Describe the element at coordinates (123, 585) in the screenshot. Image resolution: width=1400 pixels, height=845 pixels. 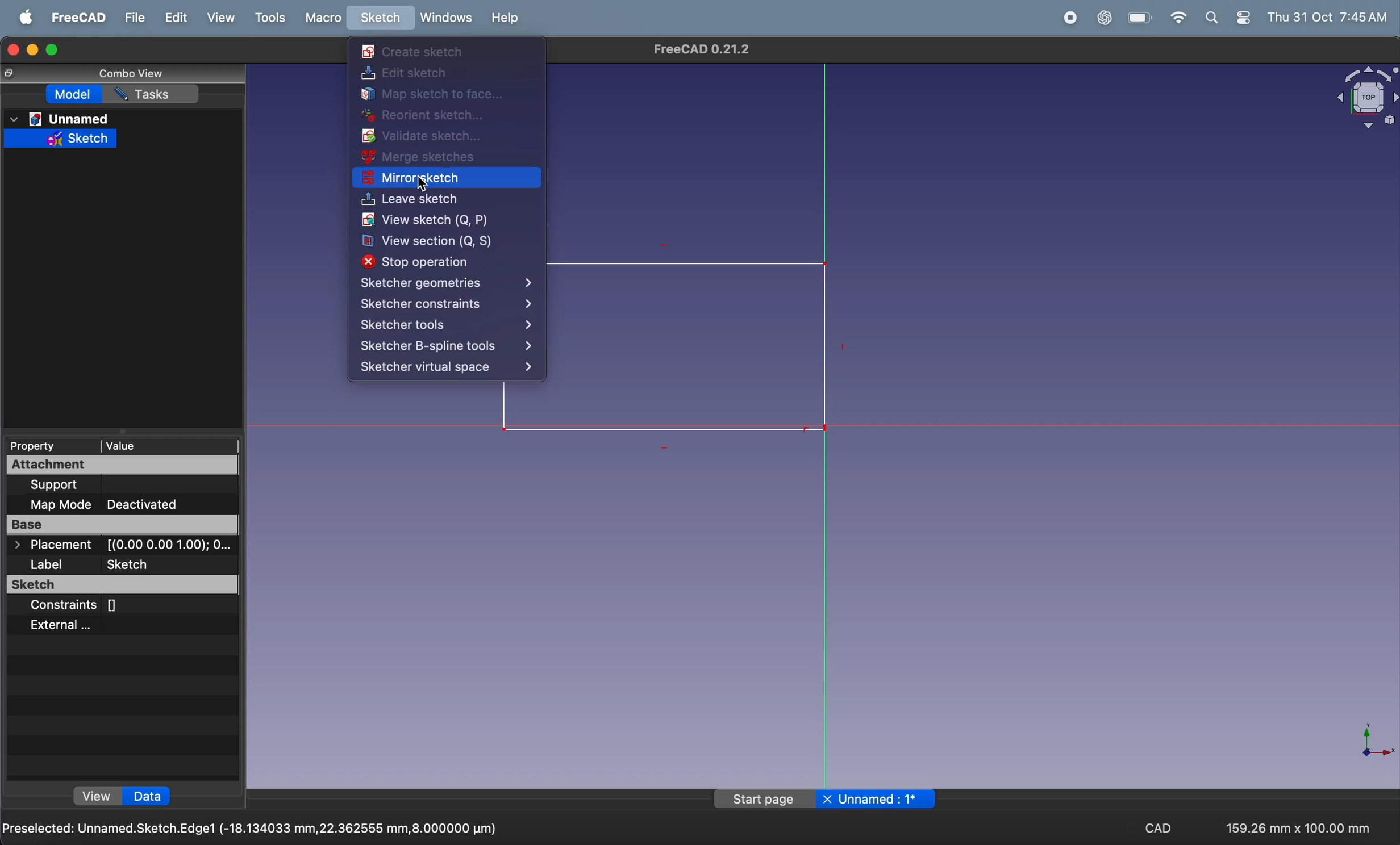
I see `sketch` at that location.